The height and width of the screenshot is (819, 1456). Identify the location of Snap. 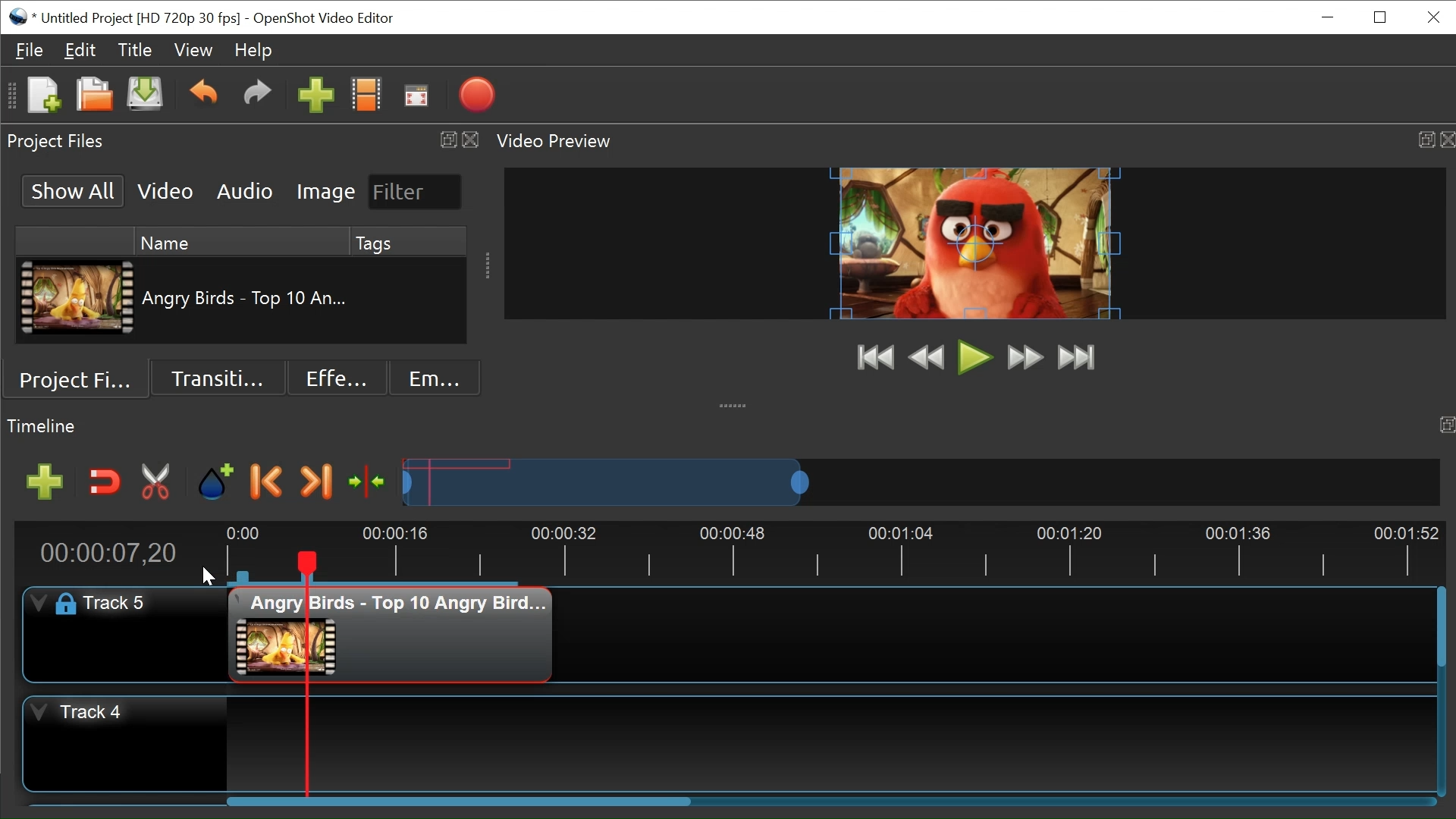
(105, 482).